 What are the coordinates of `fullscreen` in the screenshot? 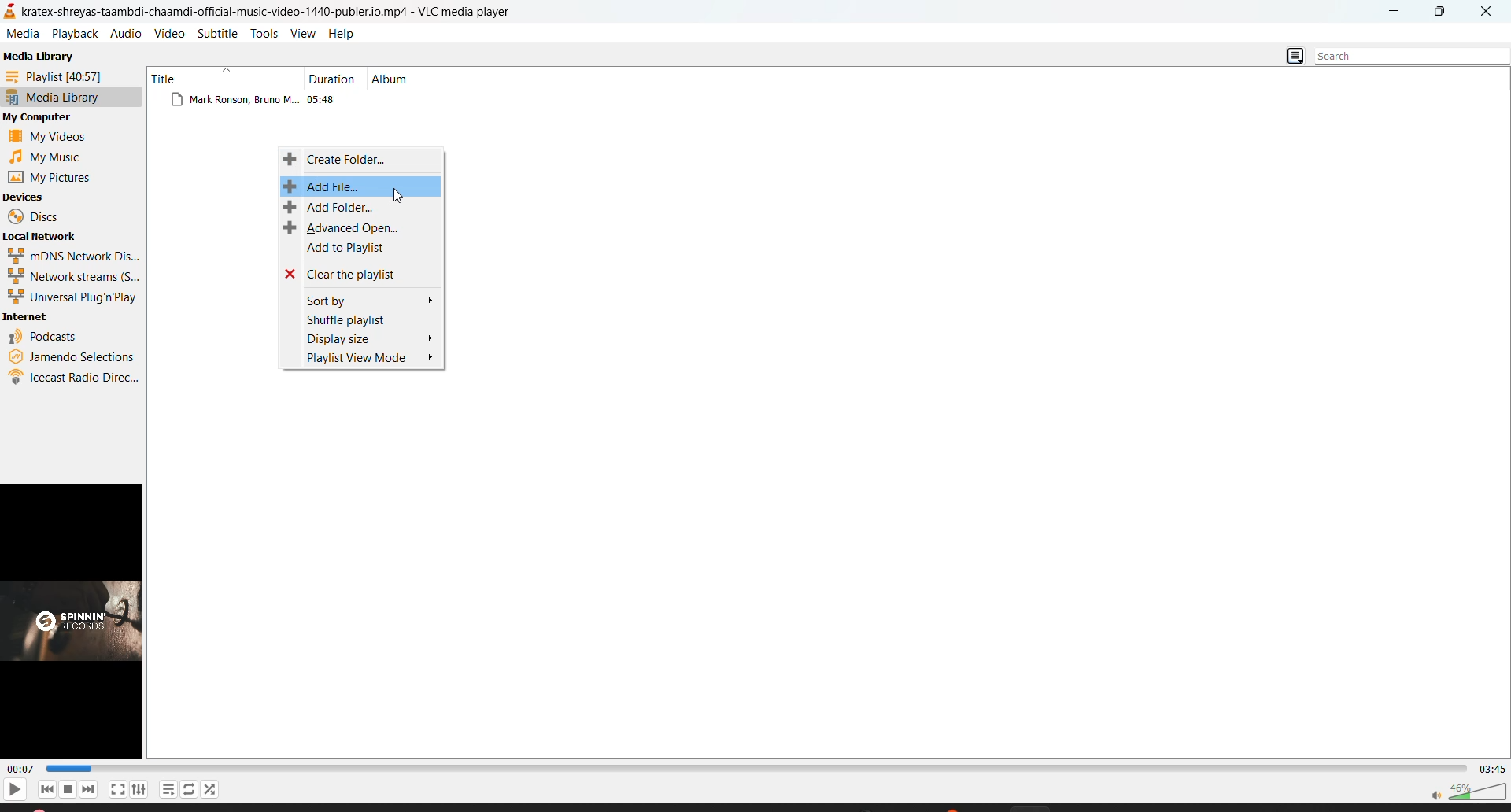 It's located at (118, 788).